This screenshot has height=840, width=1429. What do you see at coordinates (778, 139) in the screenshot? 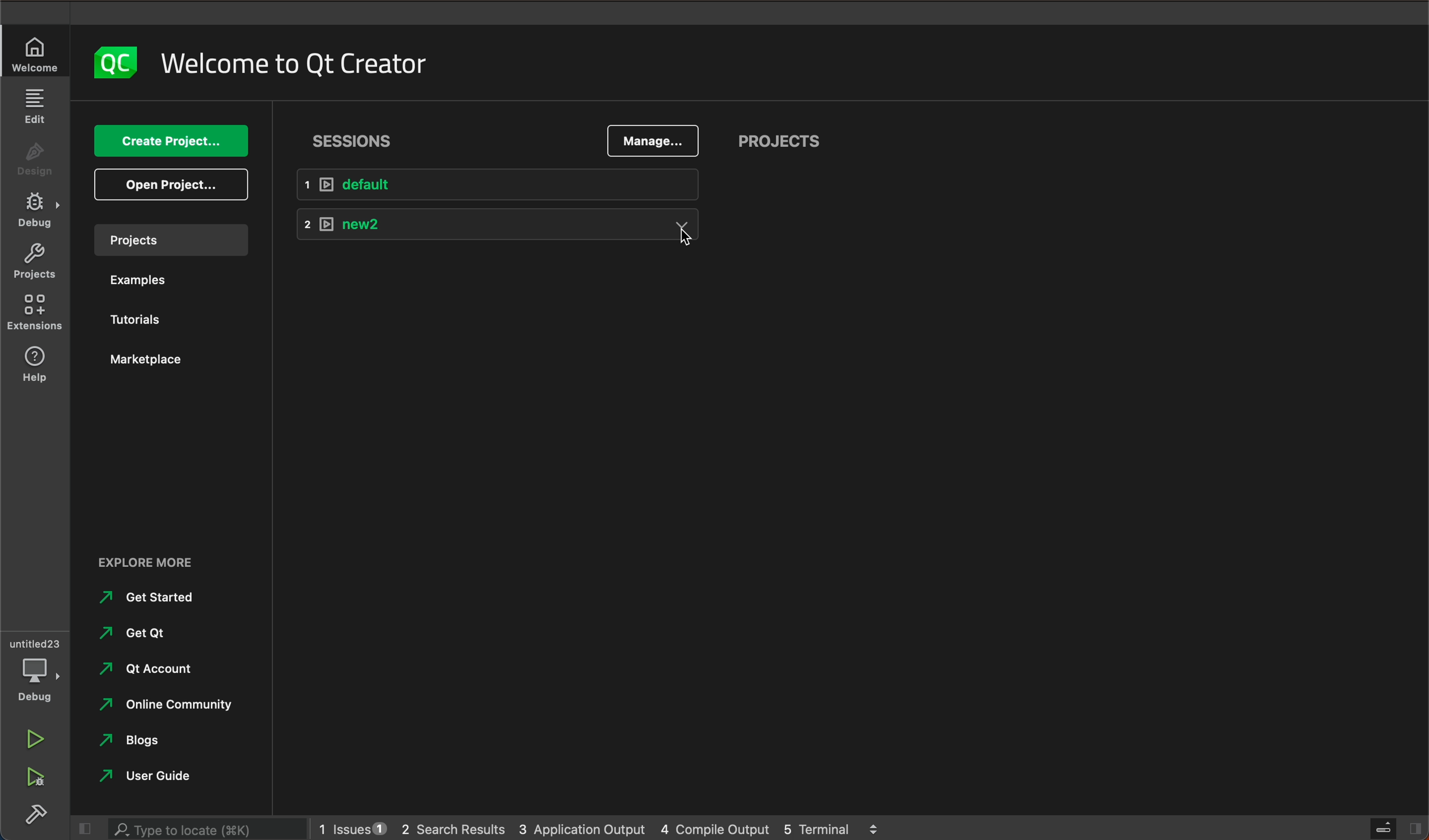
I see `projects` at bounding box center [778, 139].